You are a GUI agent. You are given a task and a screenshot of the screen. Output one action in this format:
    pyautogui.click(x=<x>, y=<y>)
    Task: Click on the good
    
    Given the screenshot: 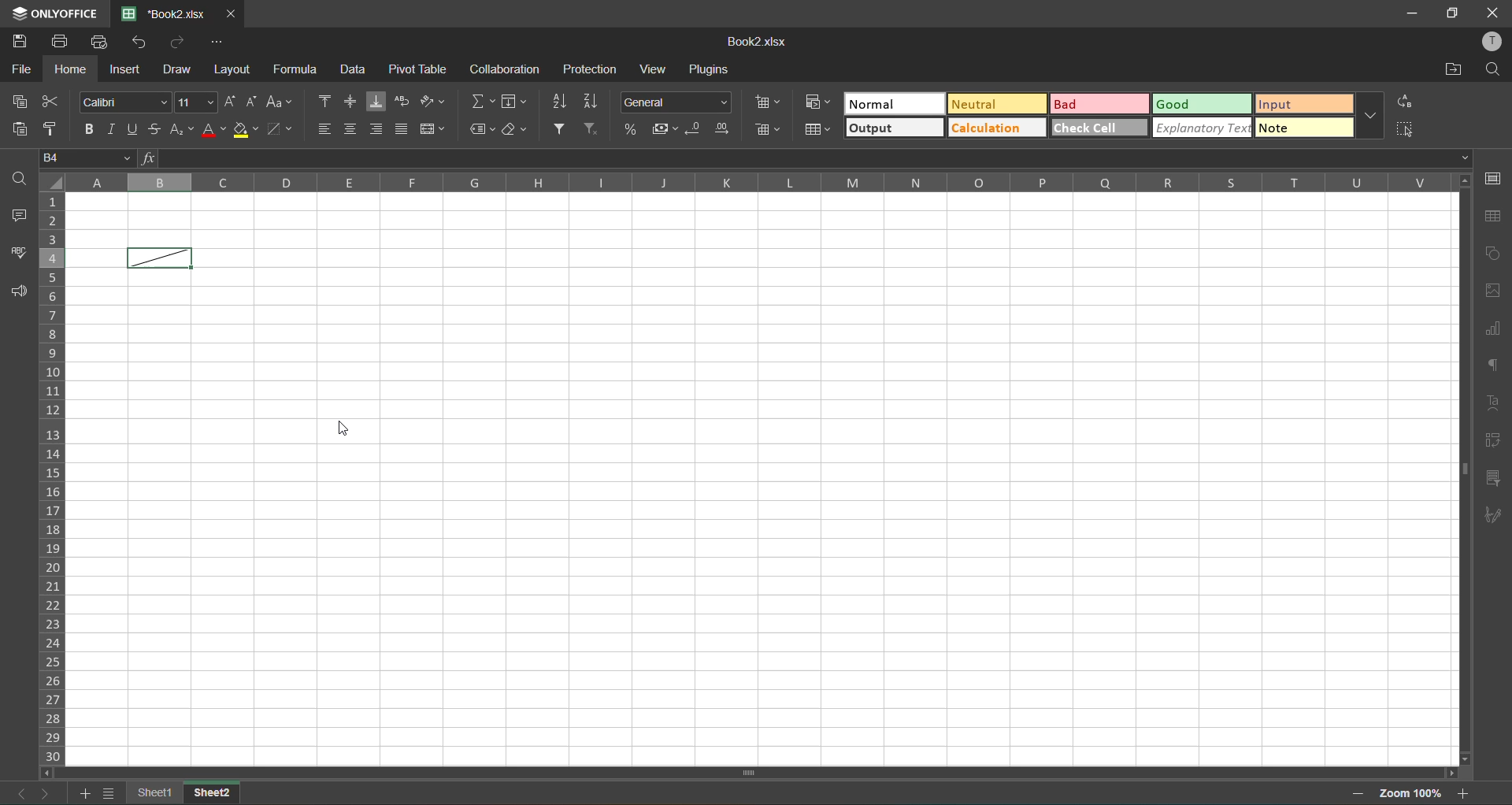 What is the action you would take?
    pyautogui.click(x=1201, y=106)
    